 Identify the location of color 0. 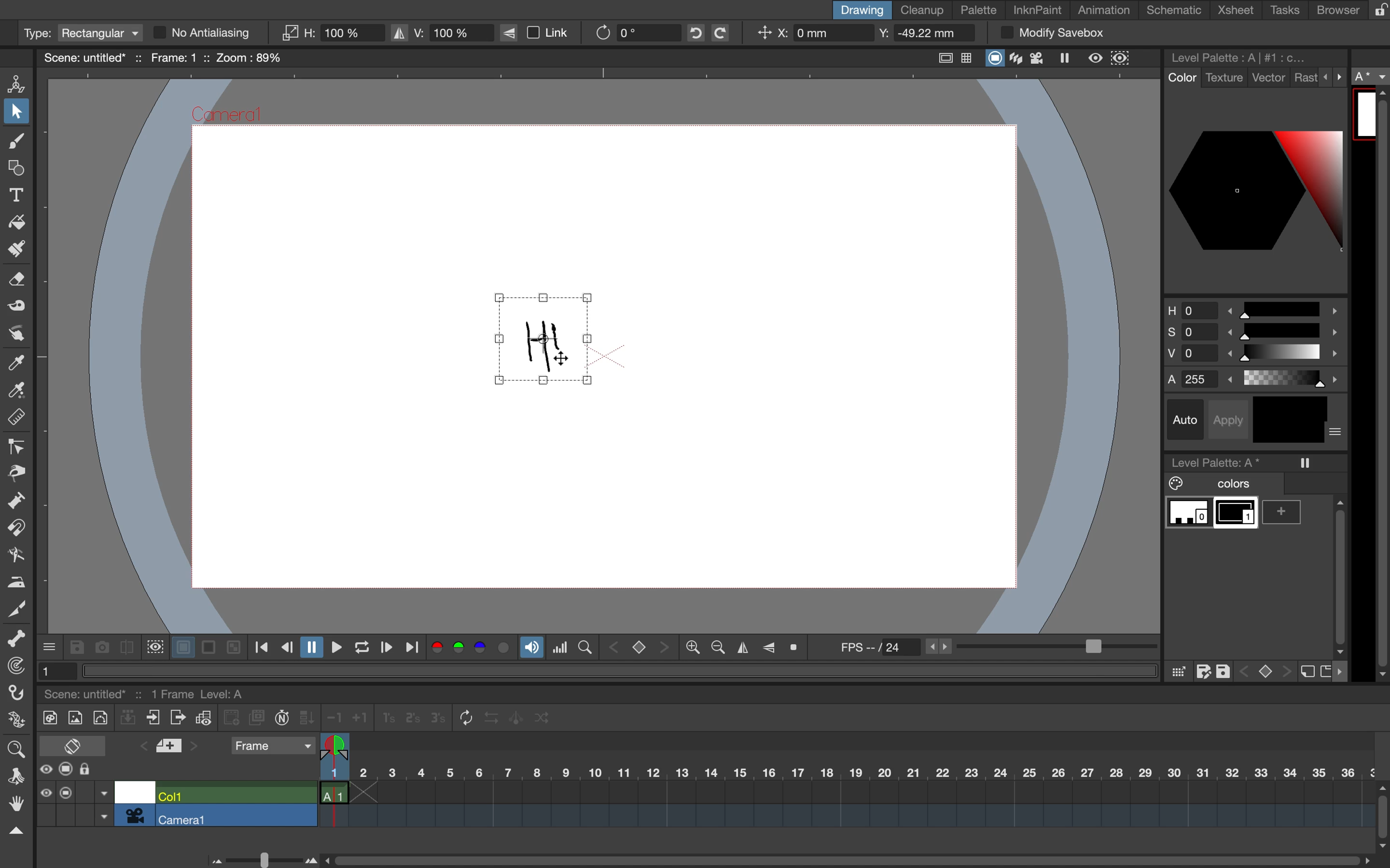
(1189, 514).